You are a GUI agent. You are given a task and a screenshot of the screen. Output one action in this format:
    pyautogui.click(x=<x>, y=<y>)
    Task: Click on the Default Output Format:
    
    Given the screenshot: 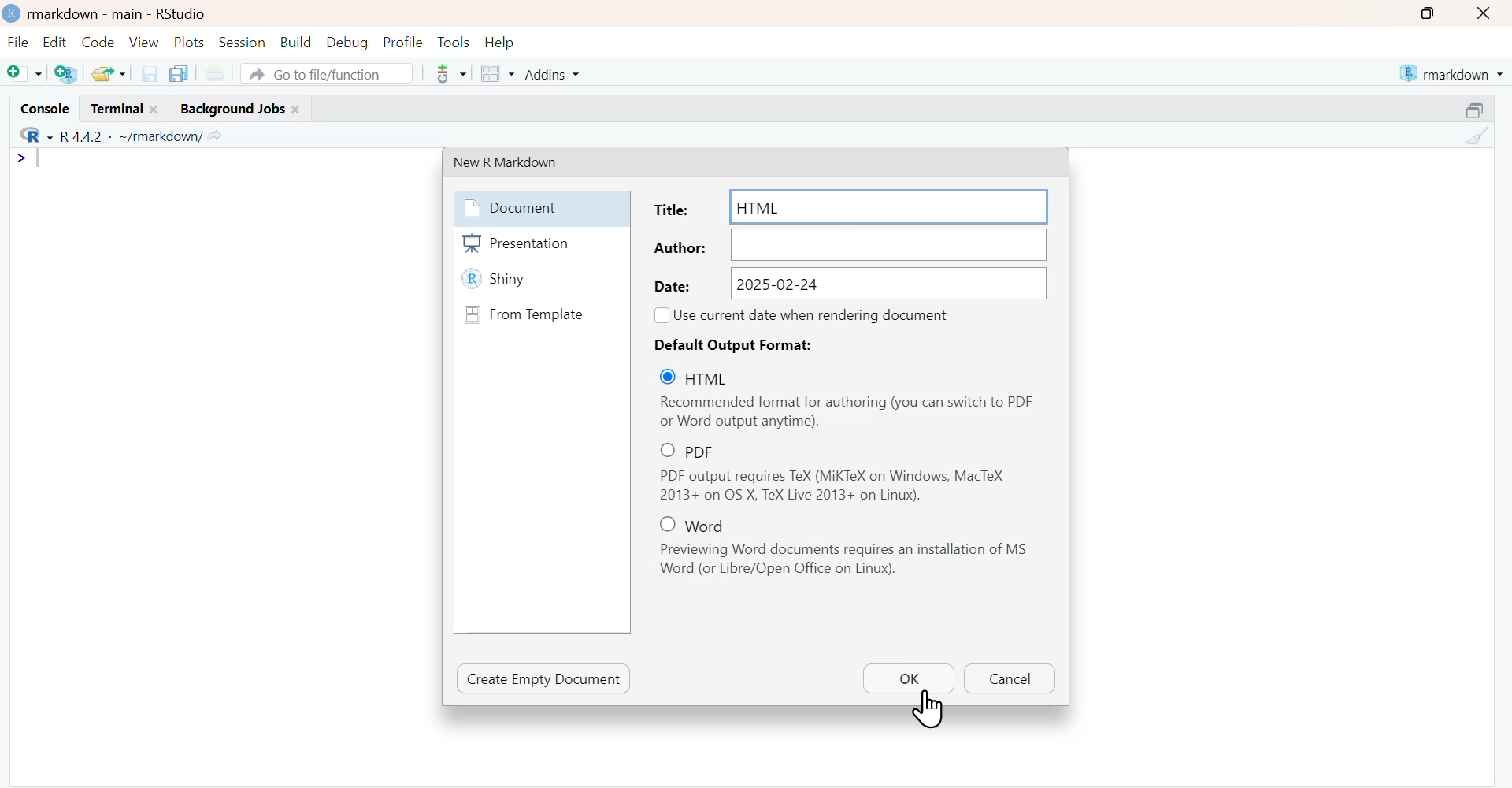 What is the action you would take?
    pyautogui.click(x=740, y=344)
    